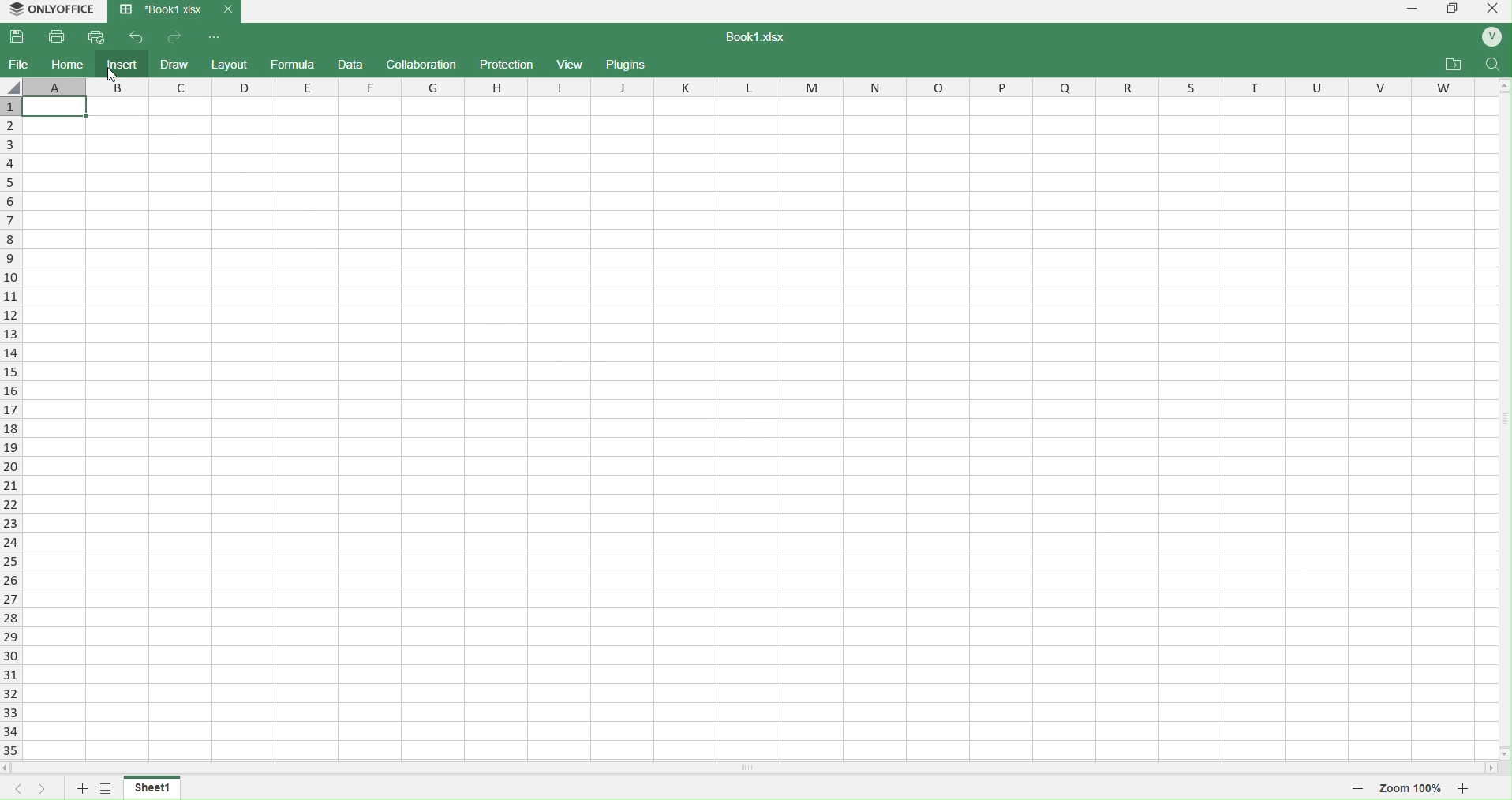 This screenshot has height=800, width=1512. I want to click on decrease zoom , so click(1357, 787).